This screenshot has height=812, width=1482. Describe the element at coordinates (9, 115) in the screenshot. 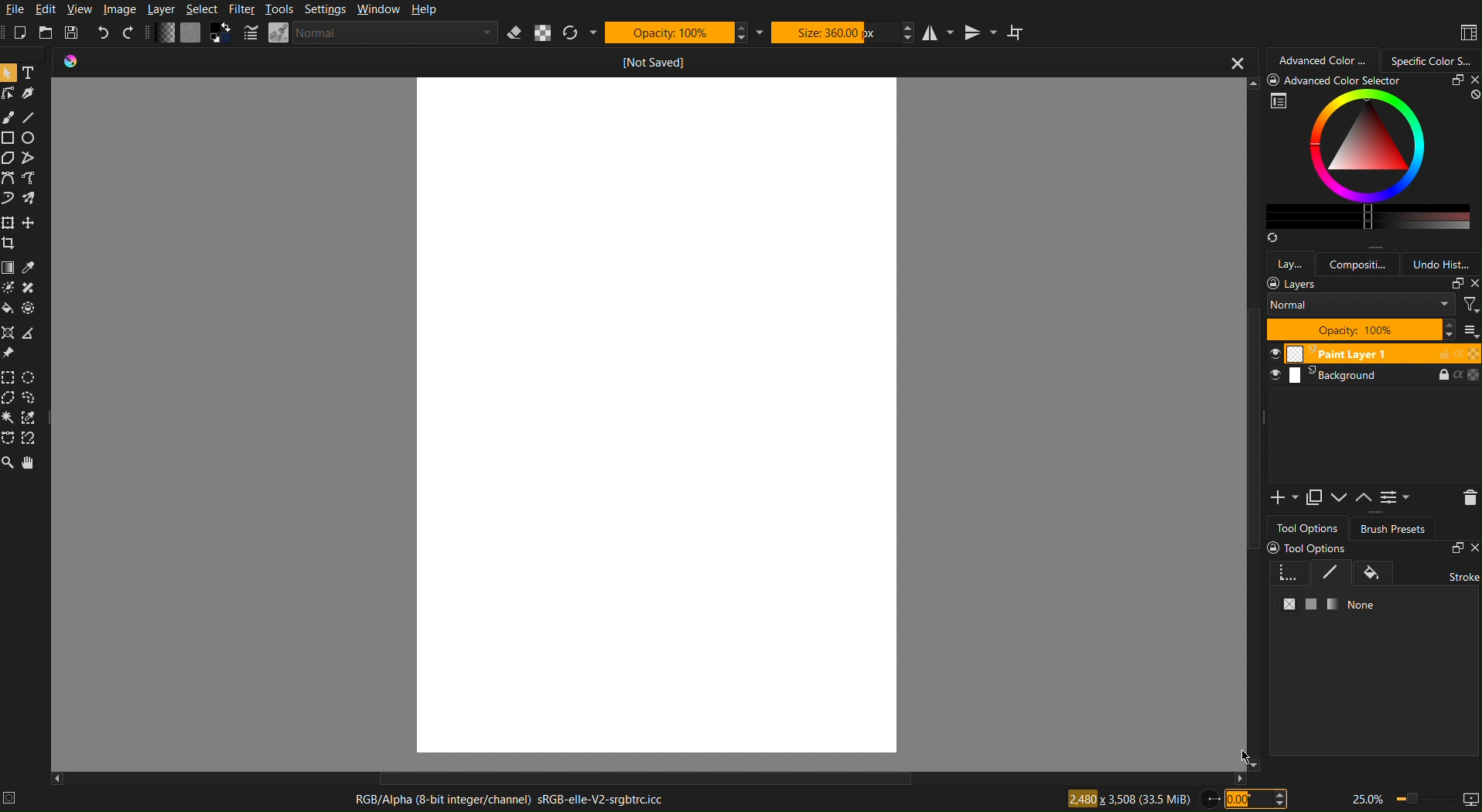

I see `Brush` at that location.